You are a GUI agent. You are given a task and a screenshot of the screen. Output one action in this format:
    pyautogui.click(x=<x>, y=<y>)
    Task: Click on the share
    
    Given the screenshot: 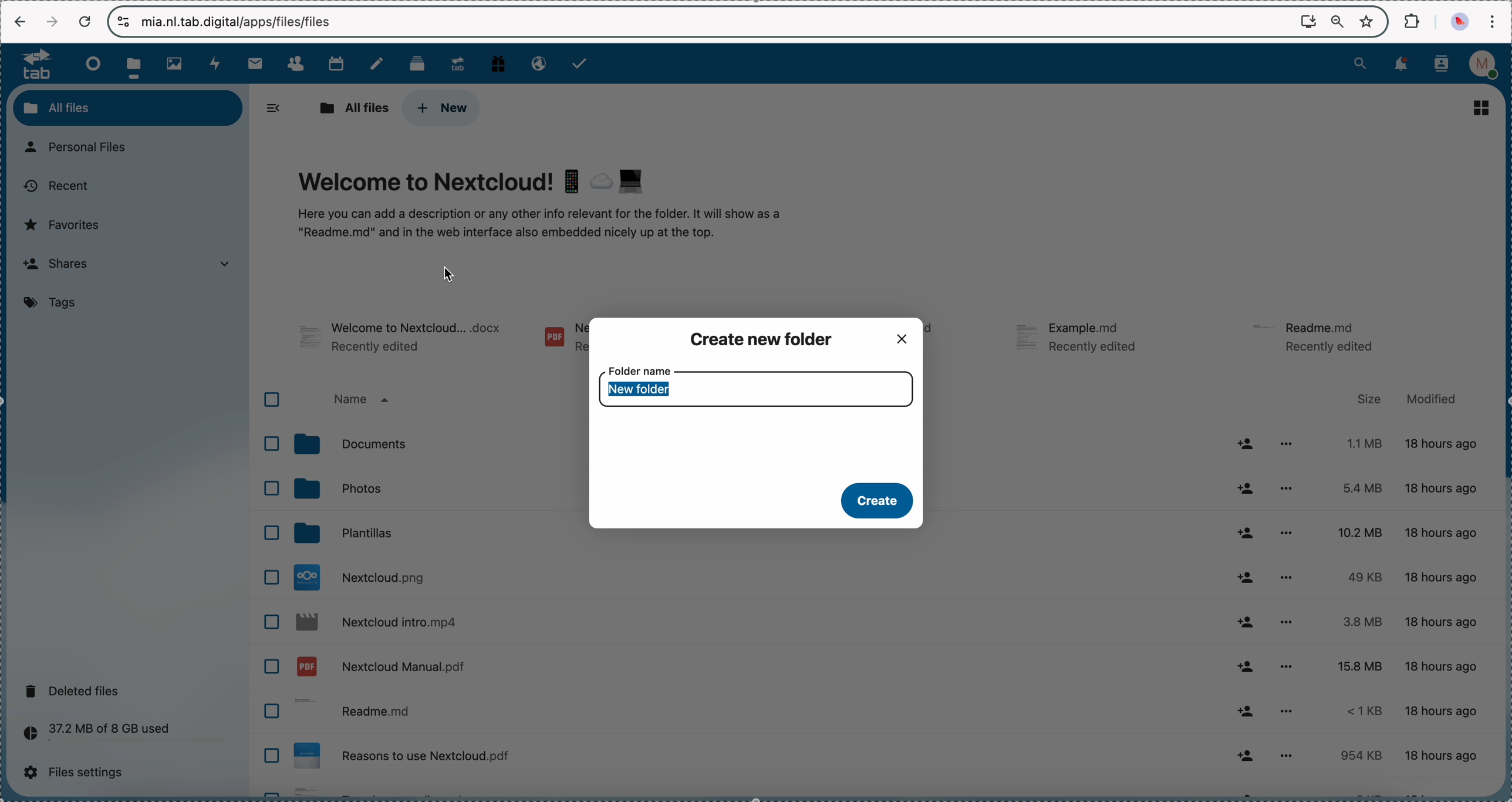 What is the action you would take?
    pyautogui.click(x=1248, y=533)
    